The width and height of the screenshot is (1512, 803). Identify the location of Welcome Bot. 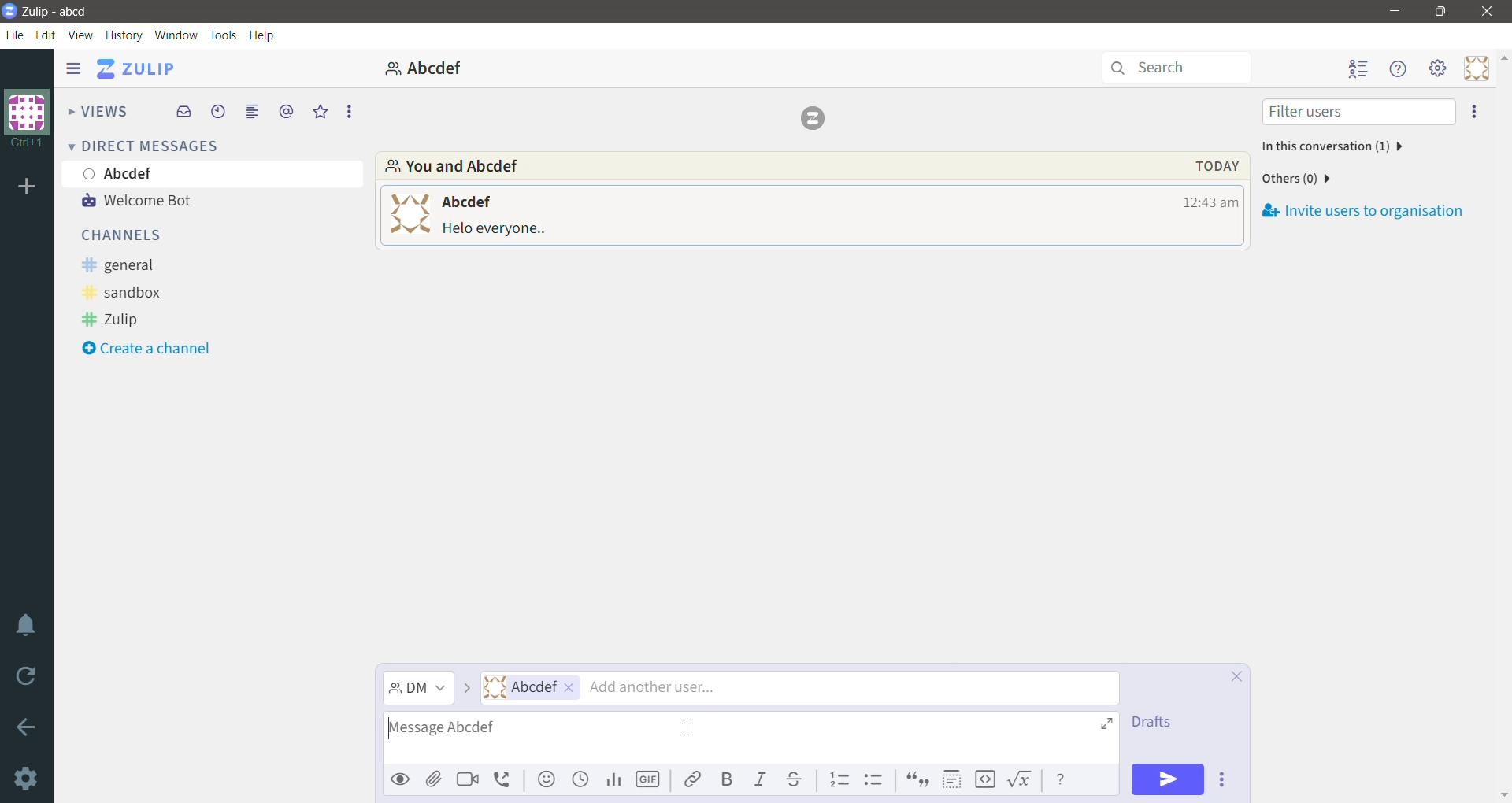
(149, 200).